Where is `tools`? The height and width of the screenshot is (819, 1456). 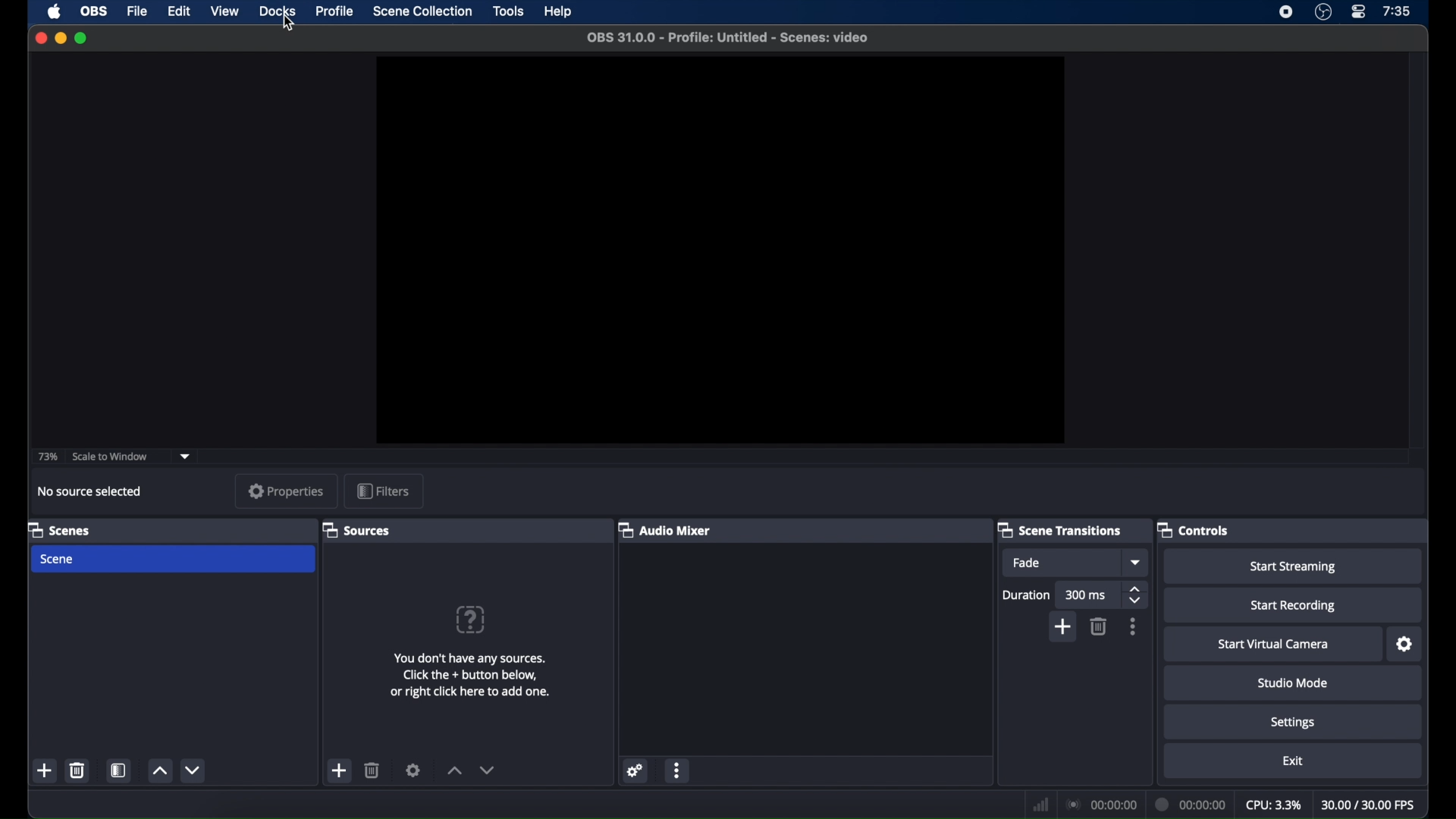
tools is located at coordinates (508, 11).